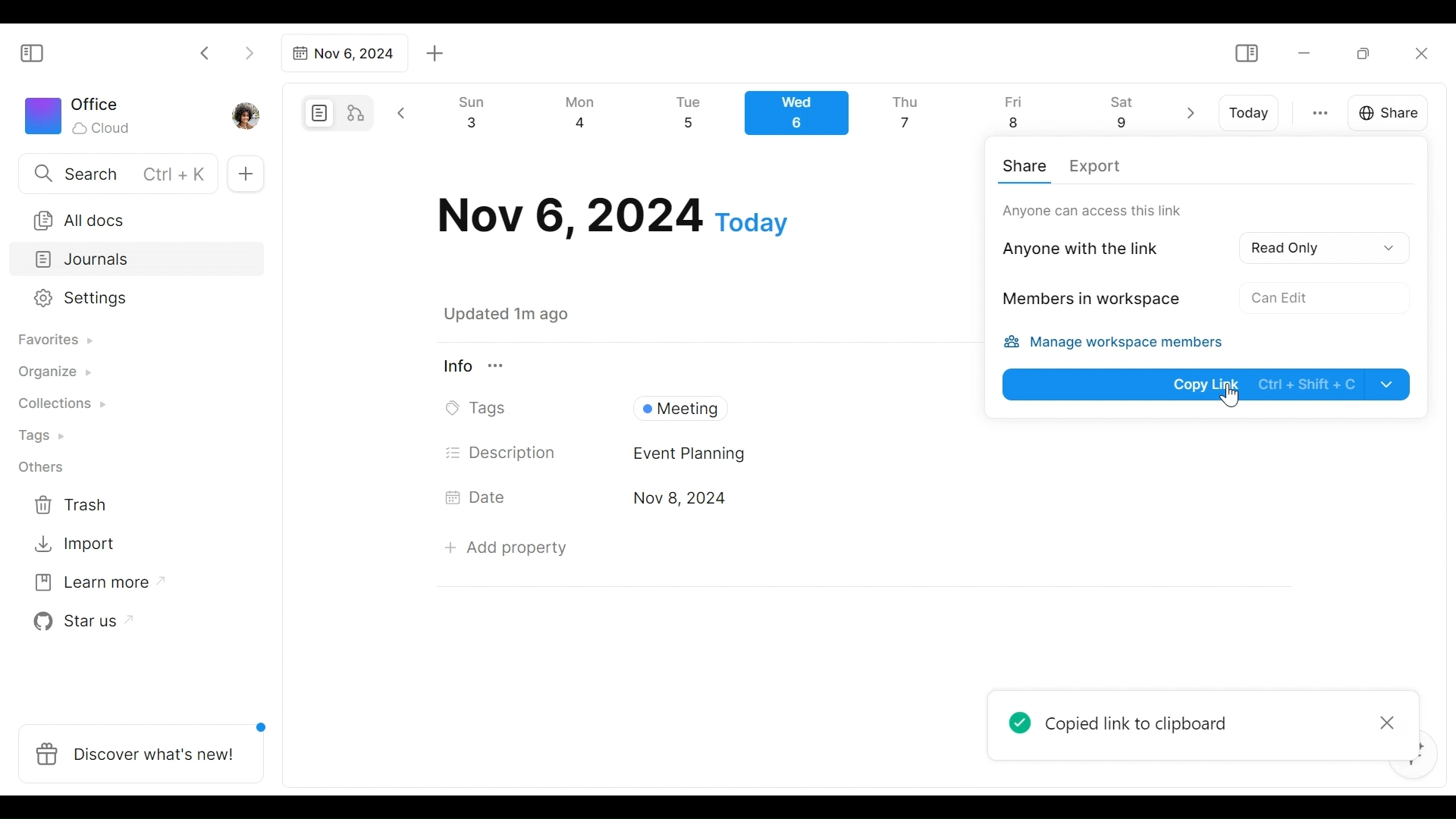  What do you see at coordinates (247, 112) in the screenshot?
I see `Profile photo` at bounding box center [247, 112].